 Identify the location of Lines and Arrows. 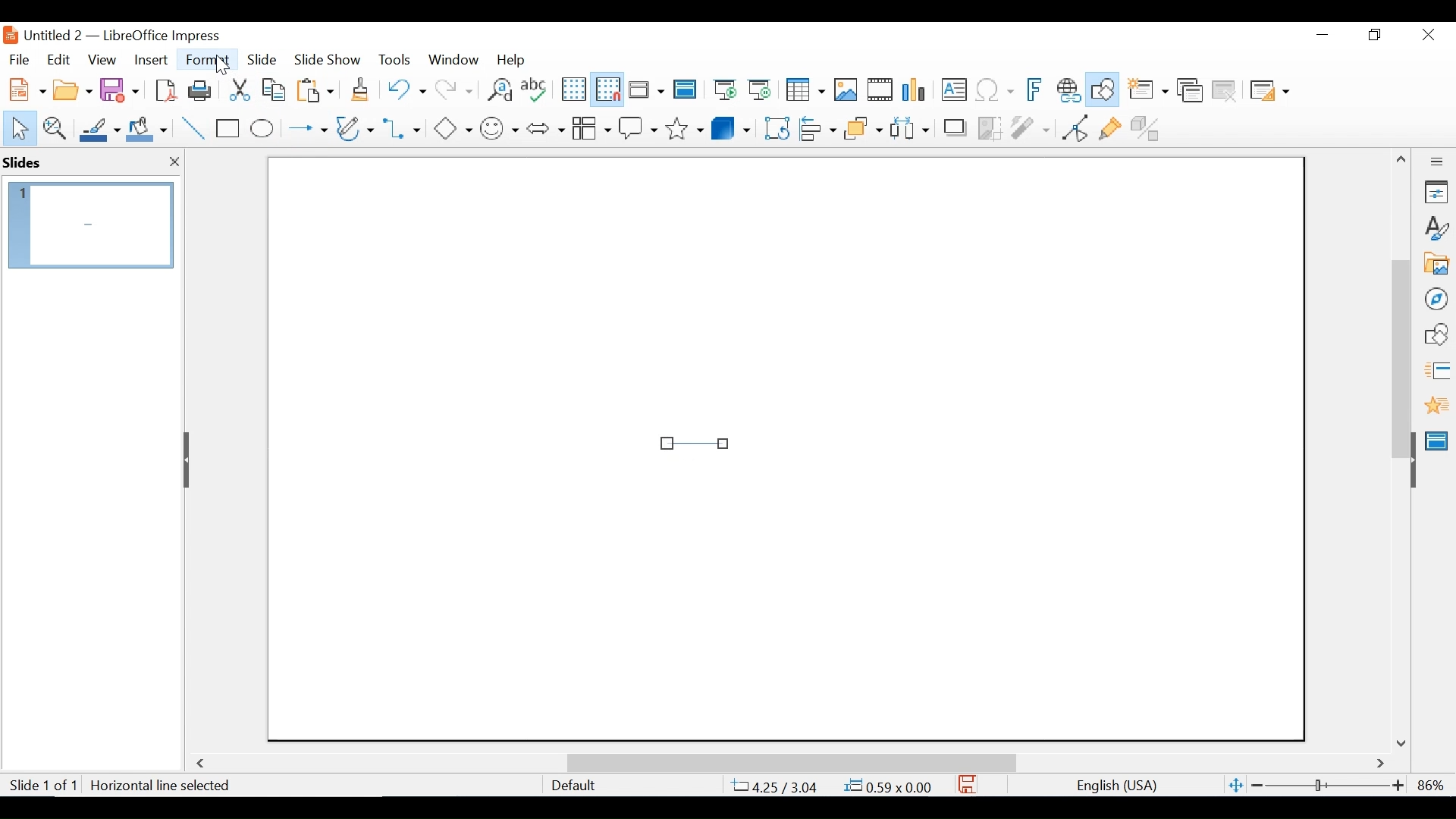
(304, 129).